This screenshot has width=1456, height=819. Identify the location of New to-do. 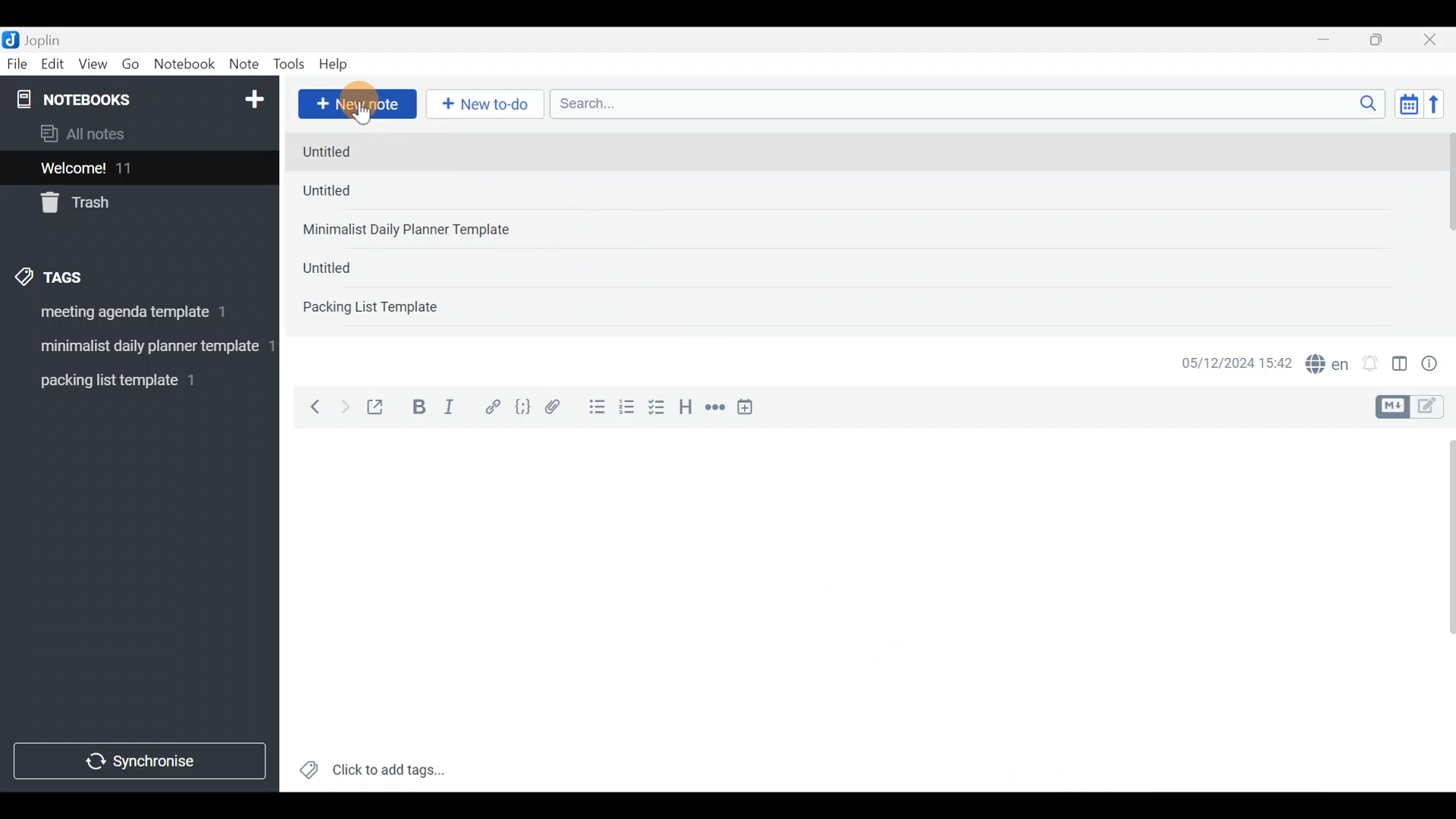
(488, 105).